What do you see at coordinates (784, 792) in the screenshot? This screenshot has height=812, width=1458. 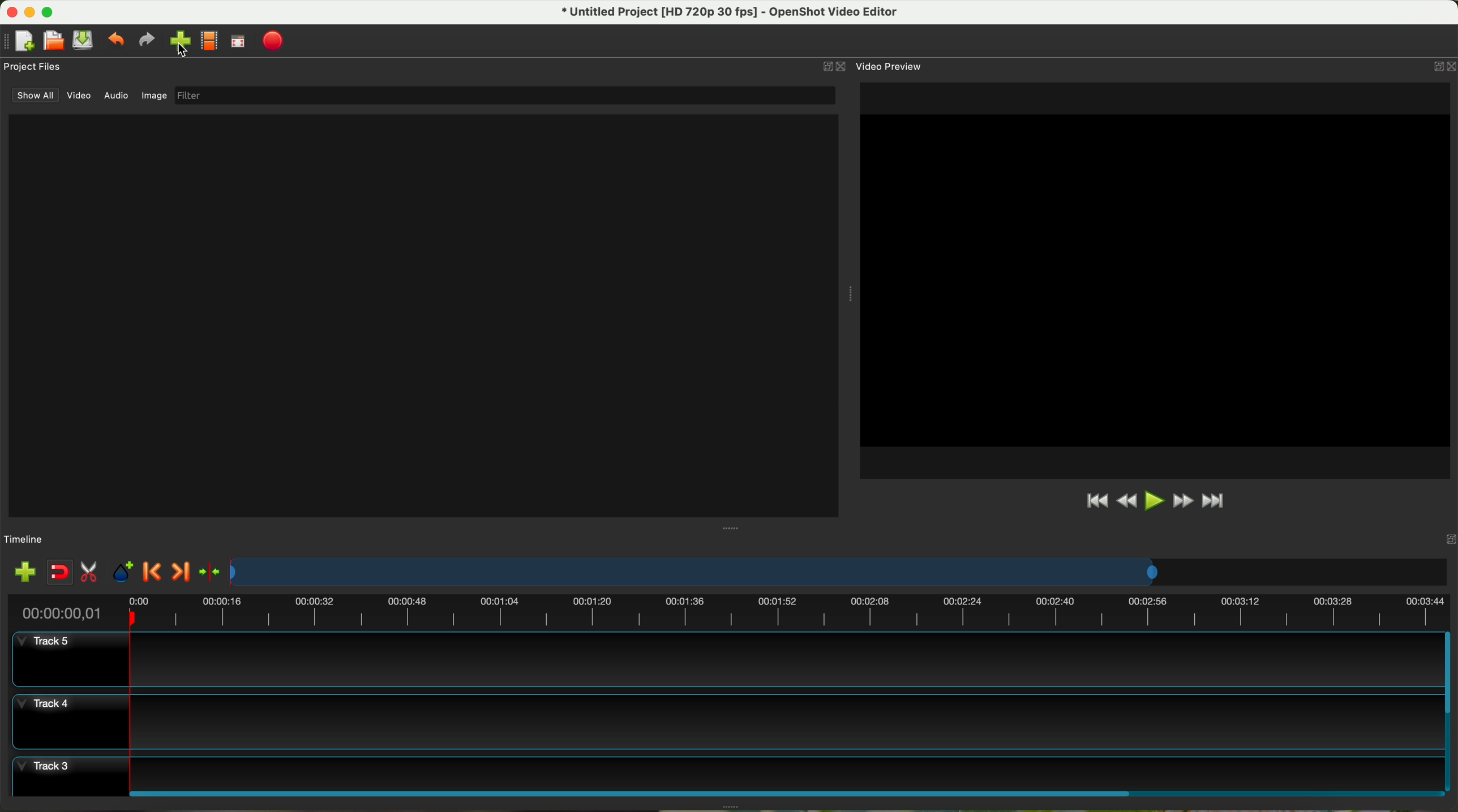 I see `scroll bar` at bounding box center [784, 792].